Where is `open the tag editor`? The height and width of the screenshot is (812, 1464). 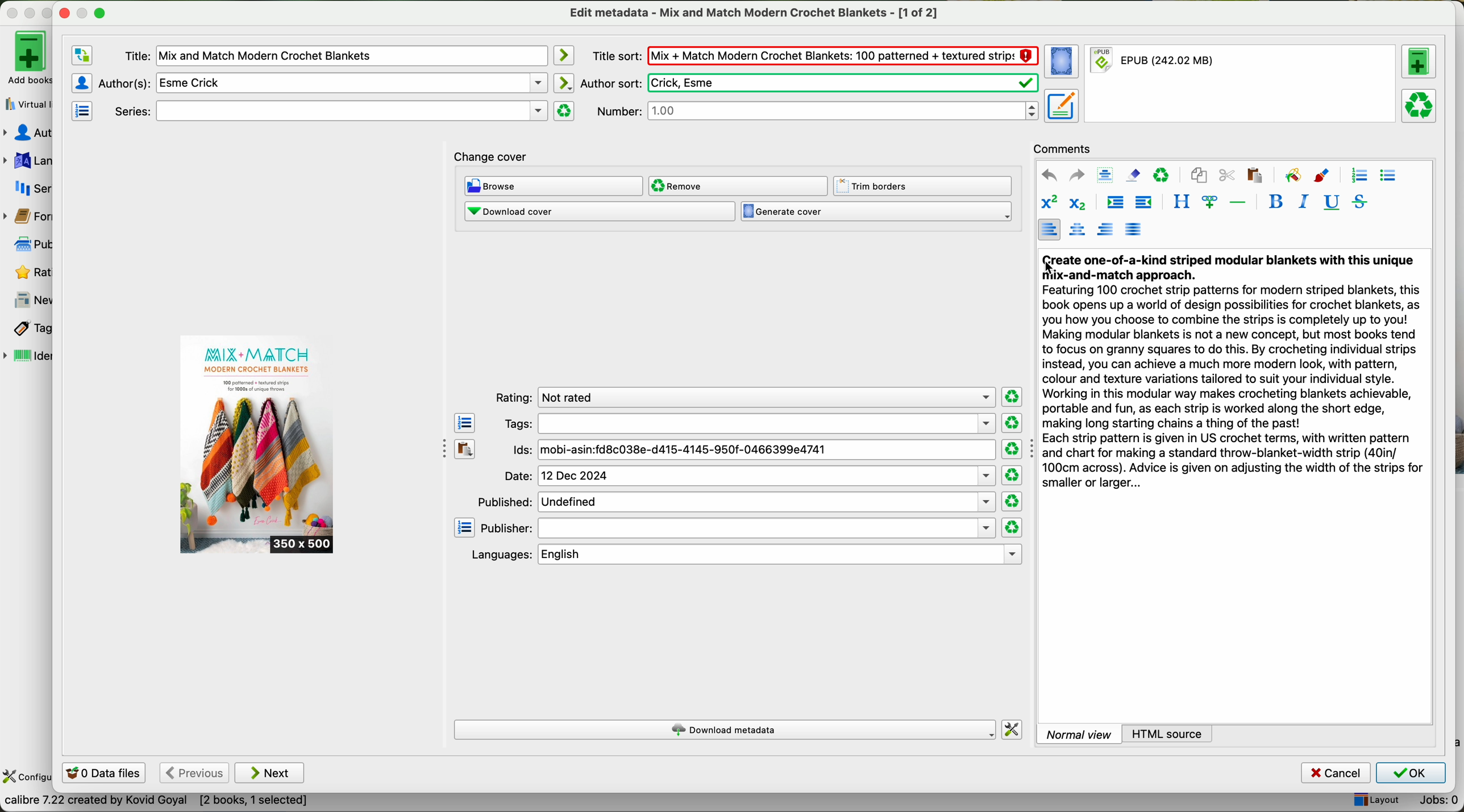
open the tag editor is located at coordinates (465, 423).